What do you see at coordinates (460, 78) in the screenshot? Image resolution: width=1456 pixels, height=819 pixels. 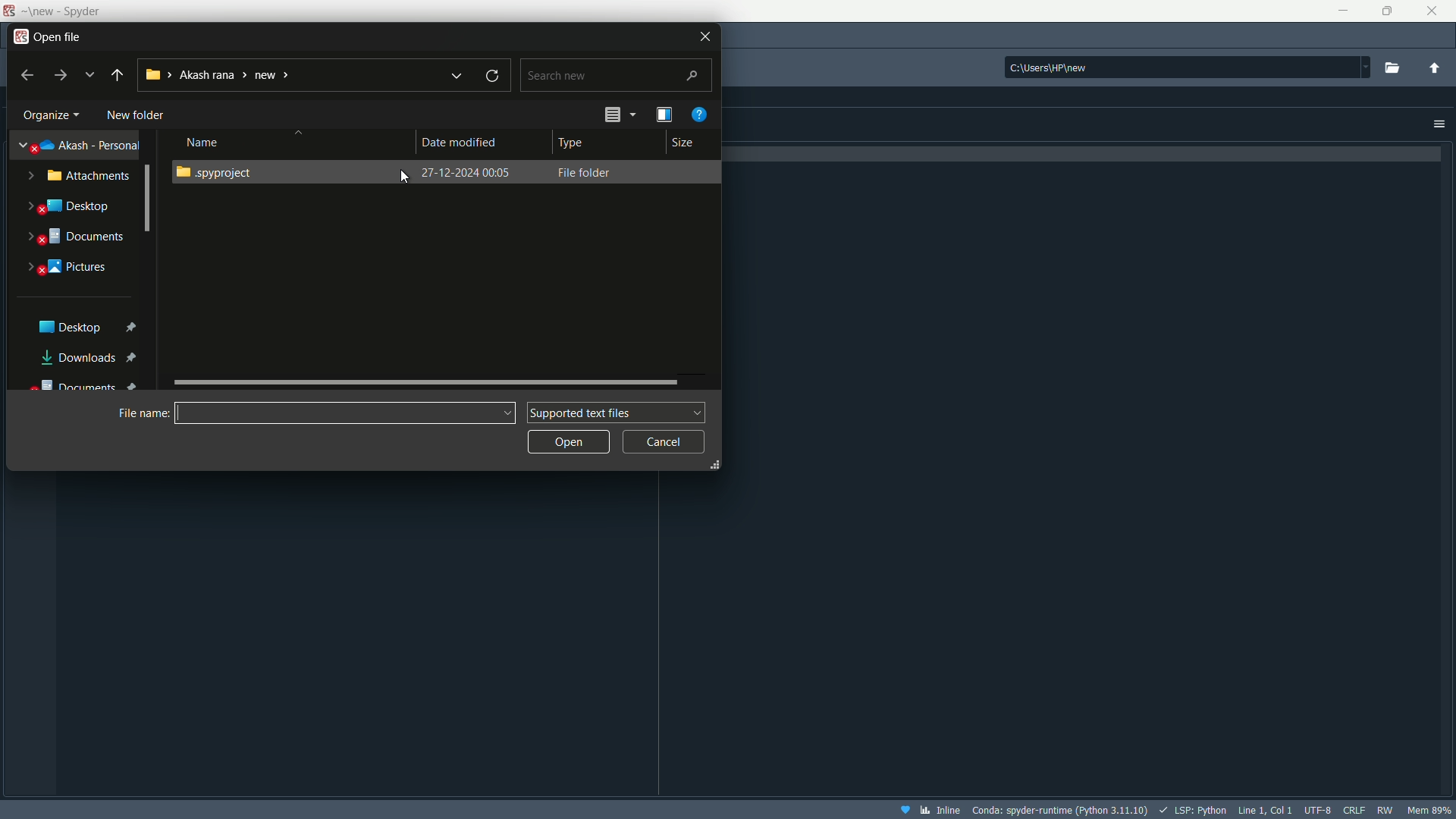 I see `previous locations` at bounding box center [460, 78].